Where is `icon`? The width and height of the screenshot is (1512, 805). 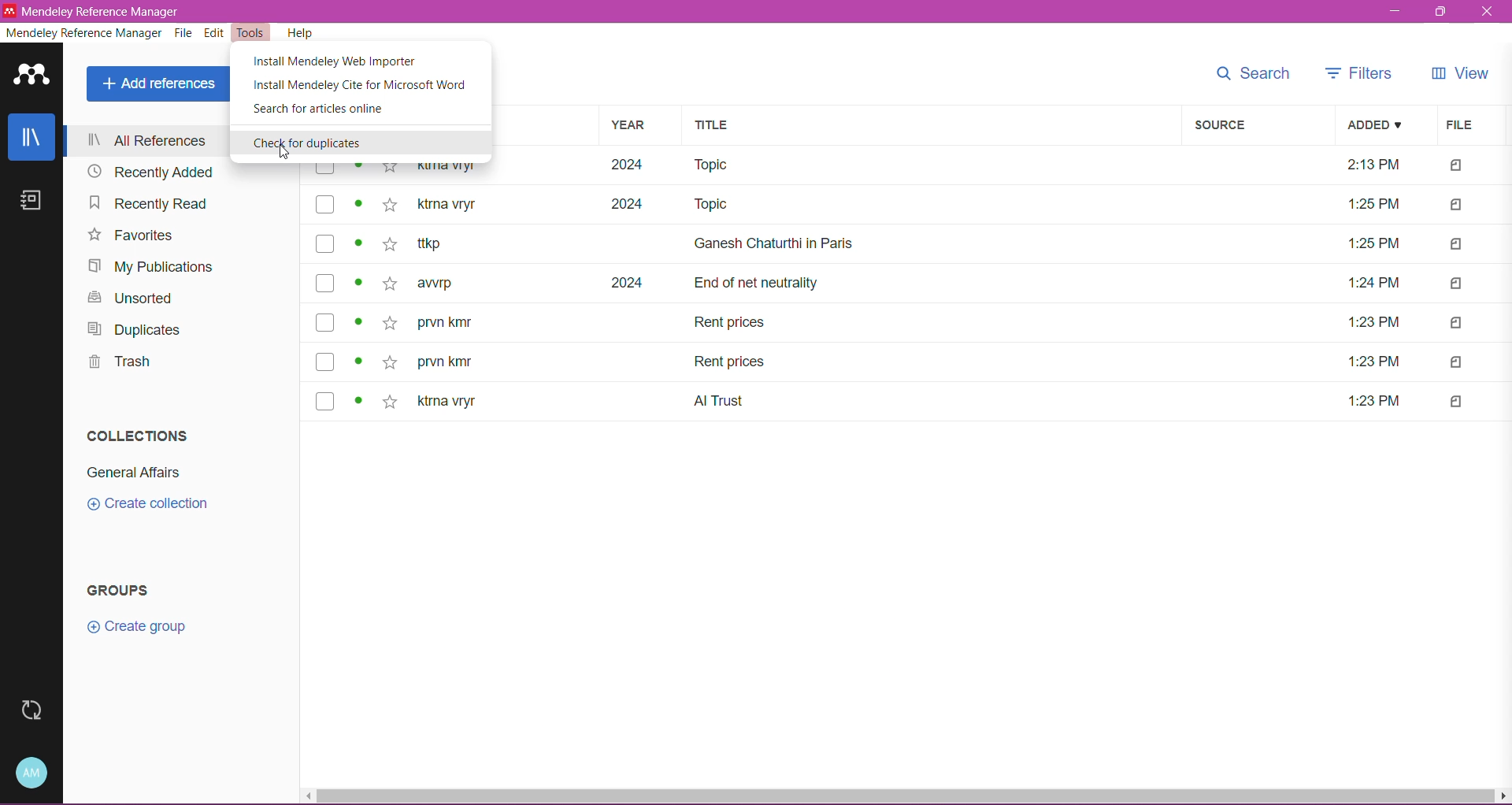
icon is located at coordinates (9, 10).